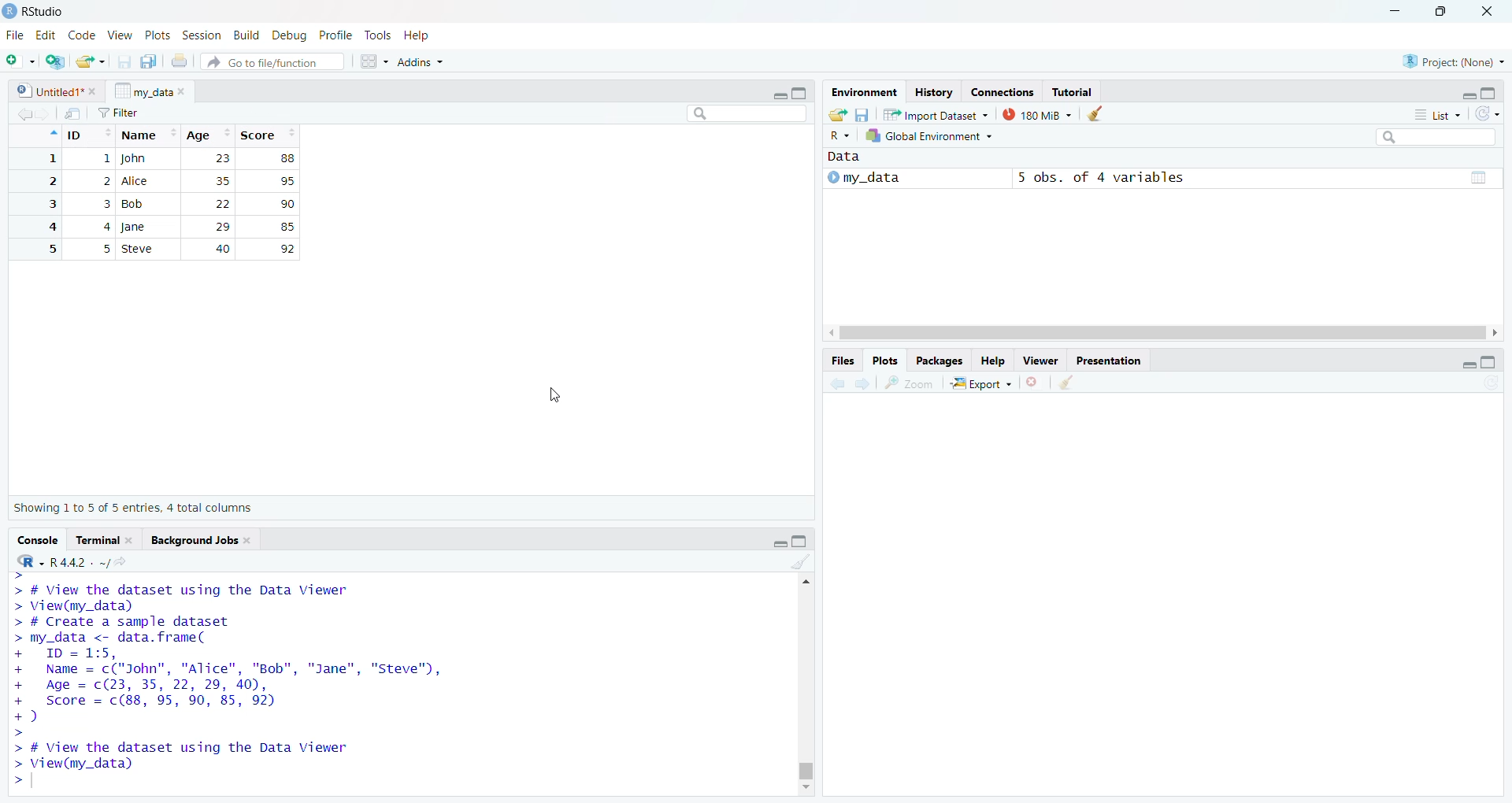 The width and height of the screenshot is (1512, 803). Describe the element at coordinates (419, 37) in the screenshot. I see `Help` at that location.